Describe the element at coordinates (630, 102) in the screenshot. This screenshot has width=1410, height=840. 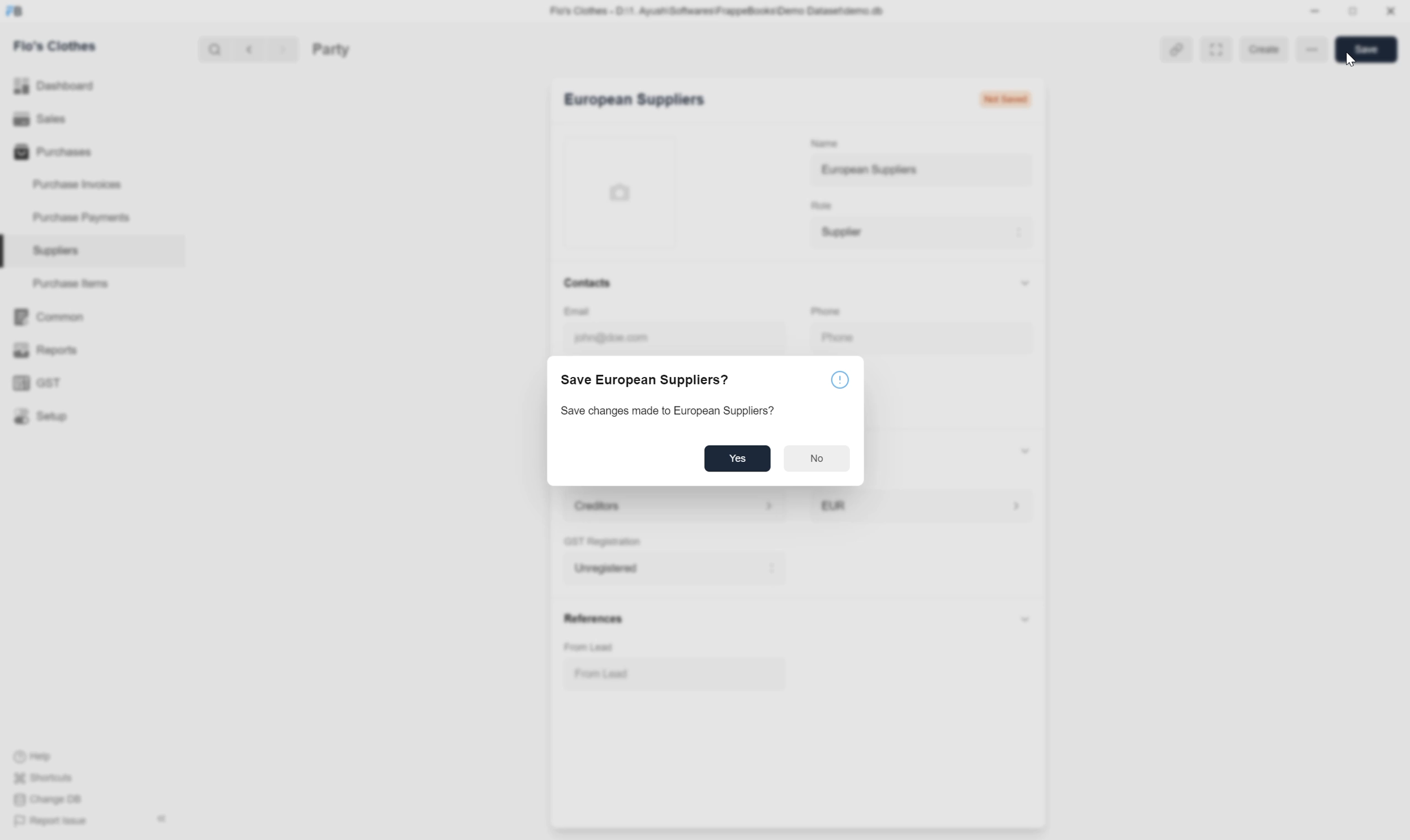
I see `European Suppliers` at that location.